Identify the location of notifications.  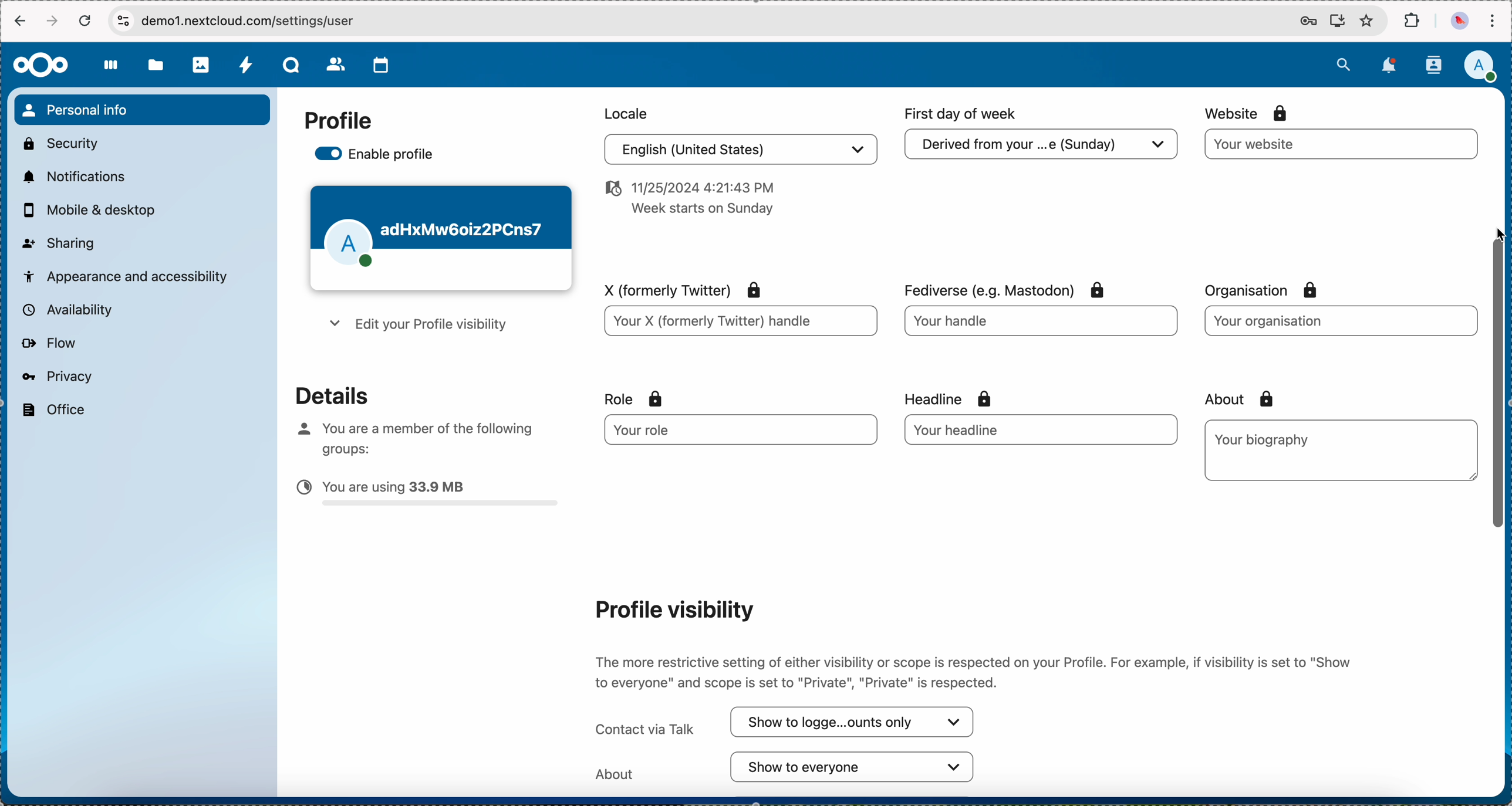
(1391, 65).